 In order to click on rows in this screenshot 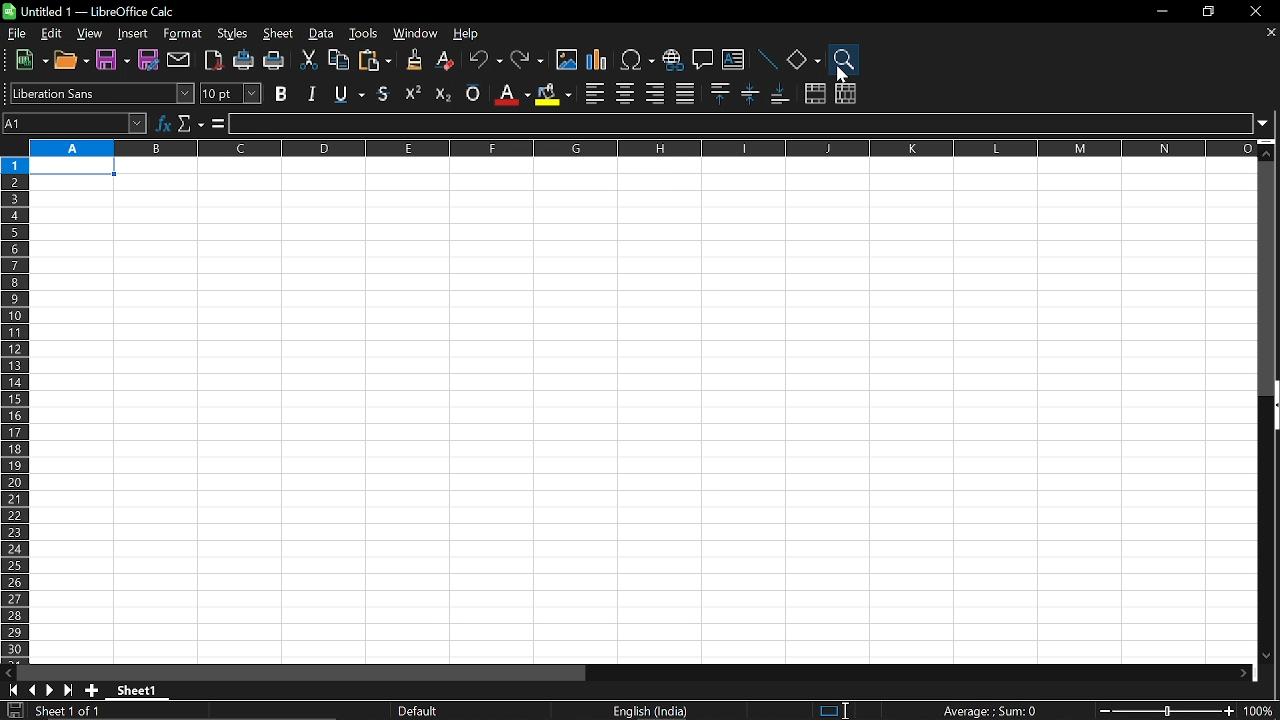, I will do `click(13, 408)`.